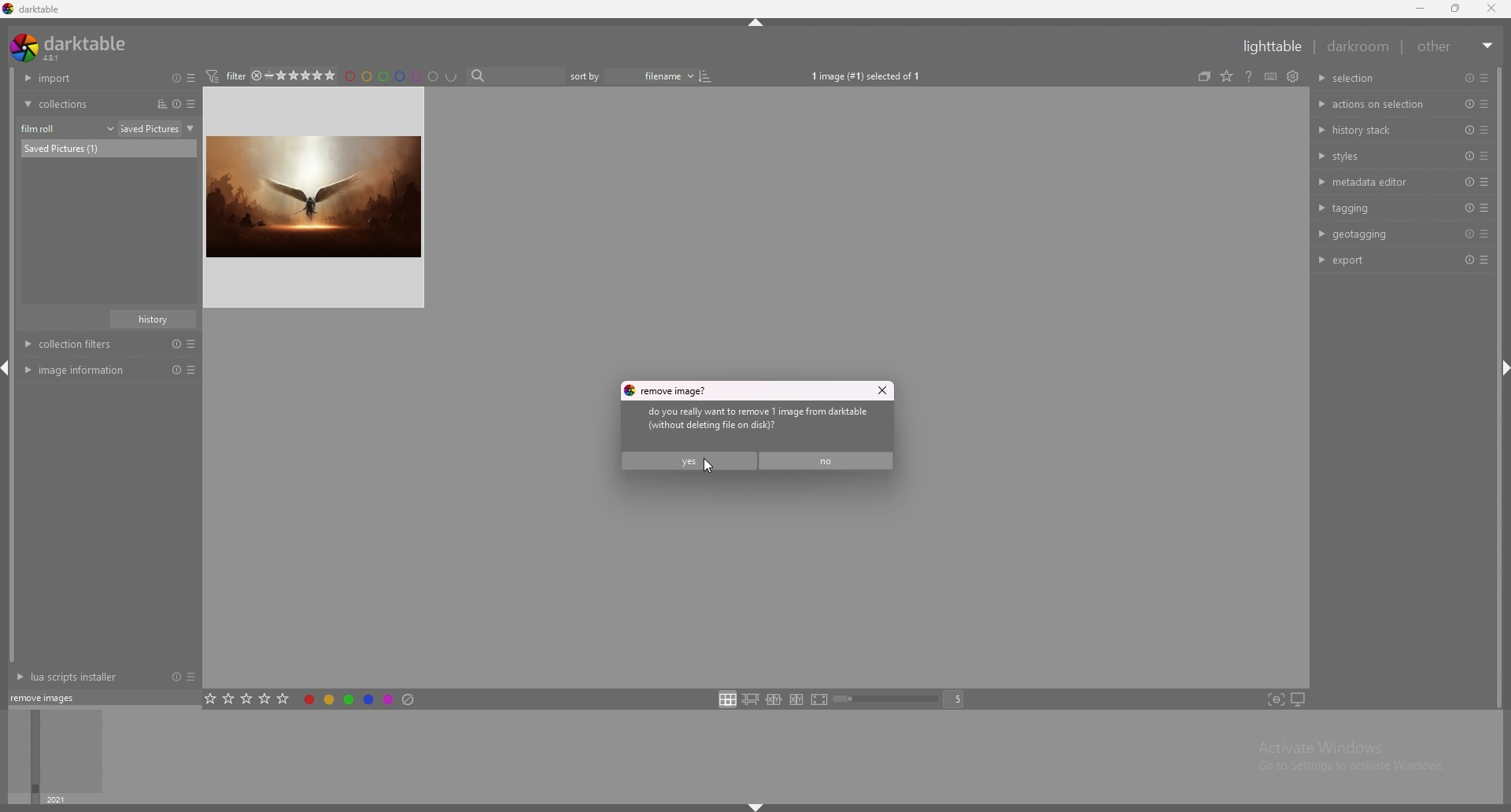 This screenshot has width=1511, height=812. I want to click on filename, so click(657, 76).